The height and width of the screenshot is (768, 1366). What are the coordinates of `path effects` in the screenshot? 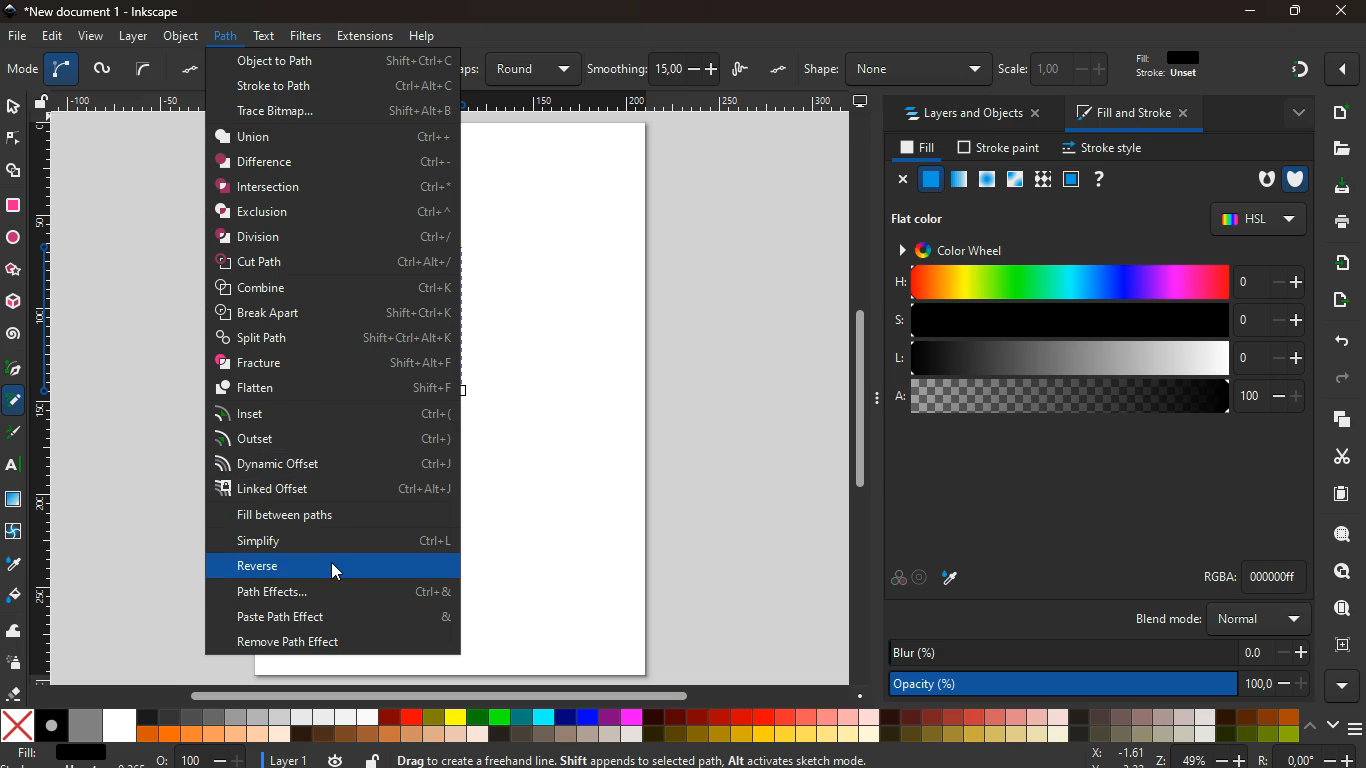 It's located at (340, 591).